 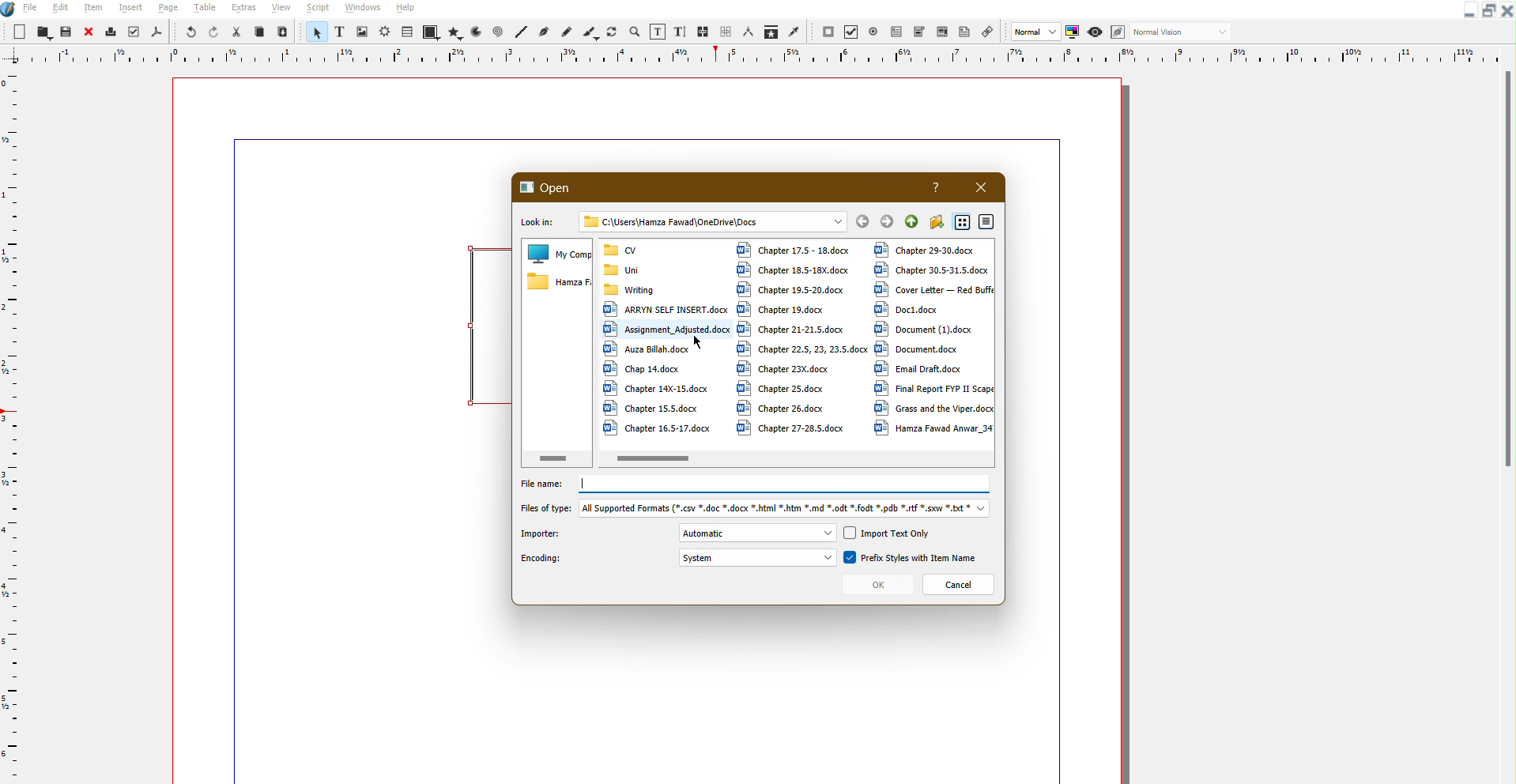 What do you see at coordinates (538, 220) in the screenshot?
I see `Look in` at bounding box center [538, 220].